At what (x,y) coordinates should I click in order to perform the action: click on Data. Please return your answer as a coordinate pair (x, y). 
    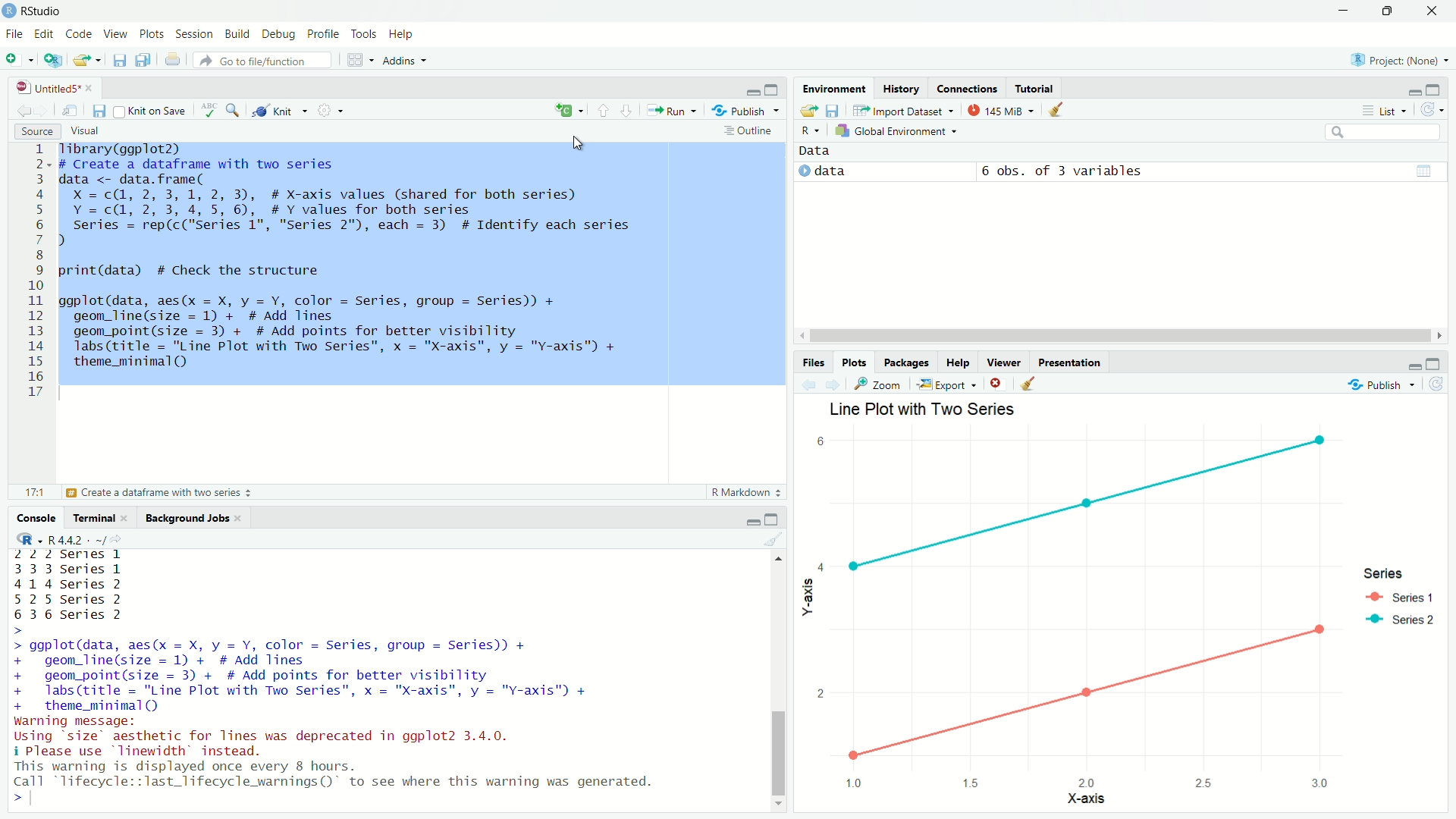
    Looking at the image, I should click on (814, 152).